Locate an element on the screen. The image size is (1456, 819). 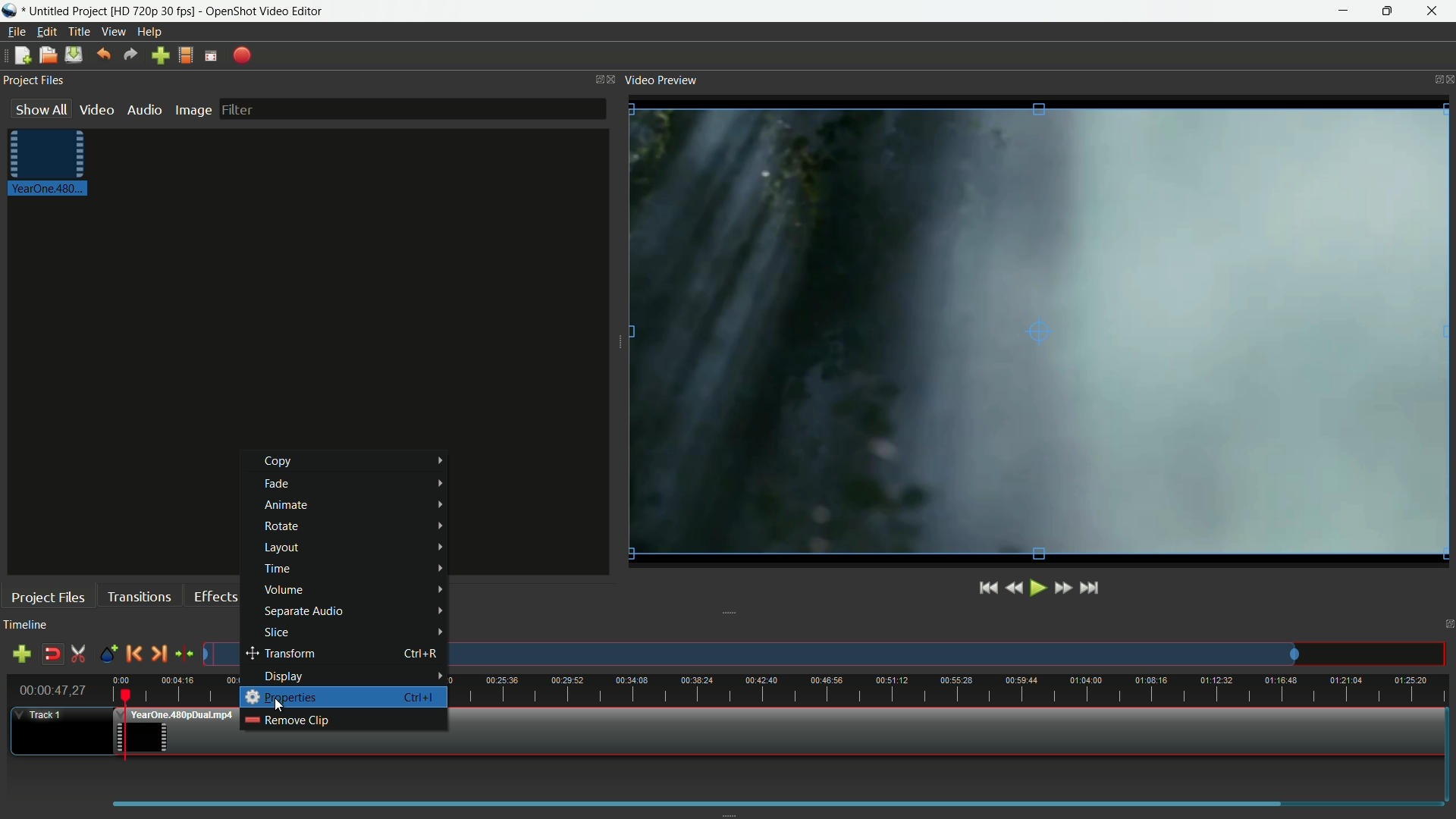
view menu is located at coordinates (113, 33).